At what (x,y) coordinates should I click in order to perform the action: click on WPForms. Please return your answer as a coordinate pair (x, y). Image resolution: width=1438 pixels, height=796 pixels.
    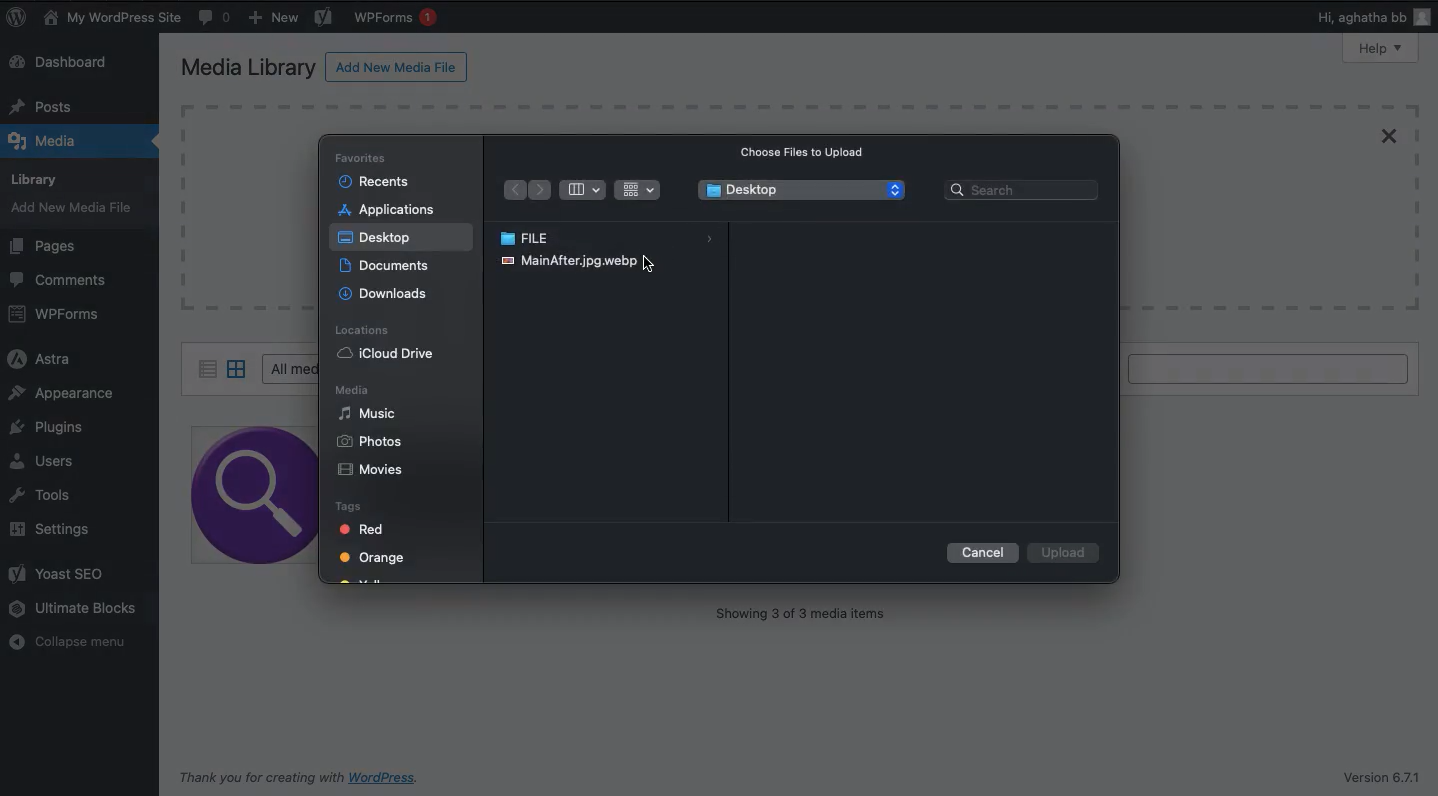
    Looking at the image, I should click on (55, 315).